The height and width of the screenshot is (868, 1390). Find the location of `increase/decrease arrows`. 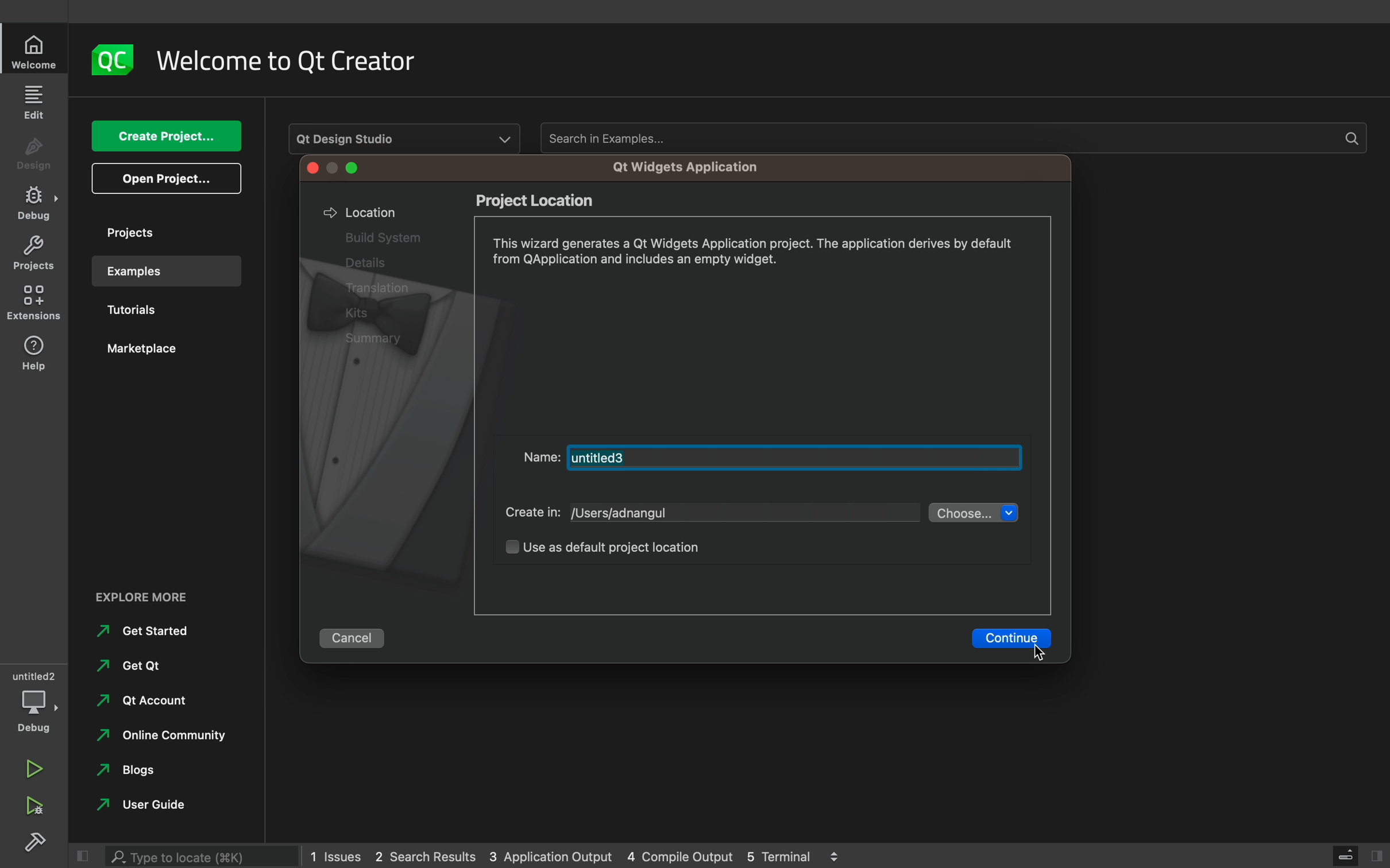

increase/decrease arrows is located at coordinates (840, 855).